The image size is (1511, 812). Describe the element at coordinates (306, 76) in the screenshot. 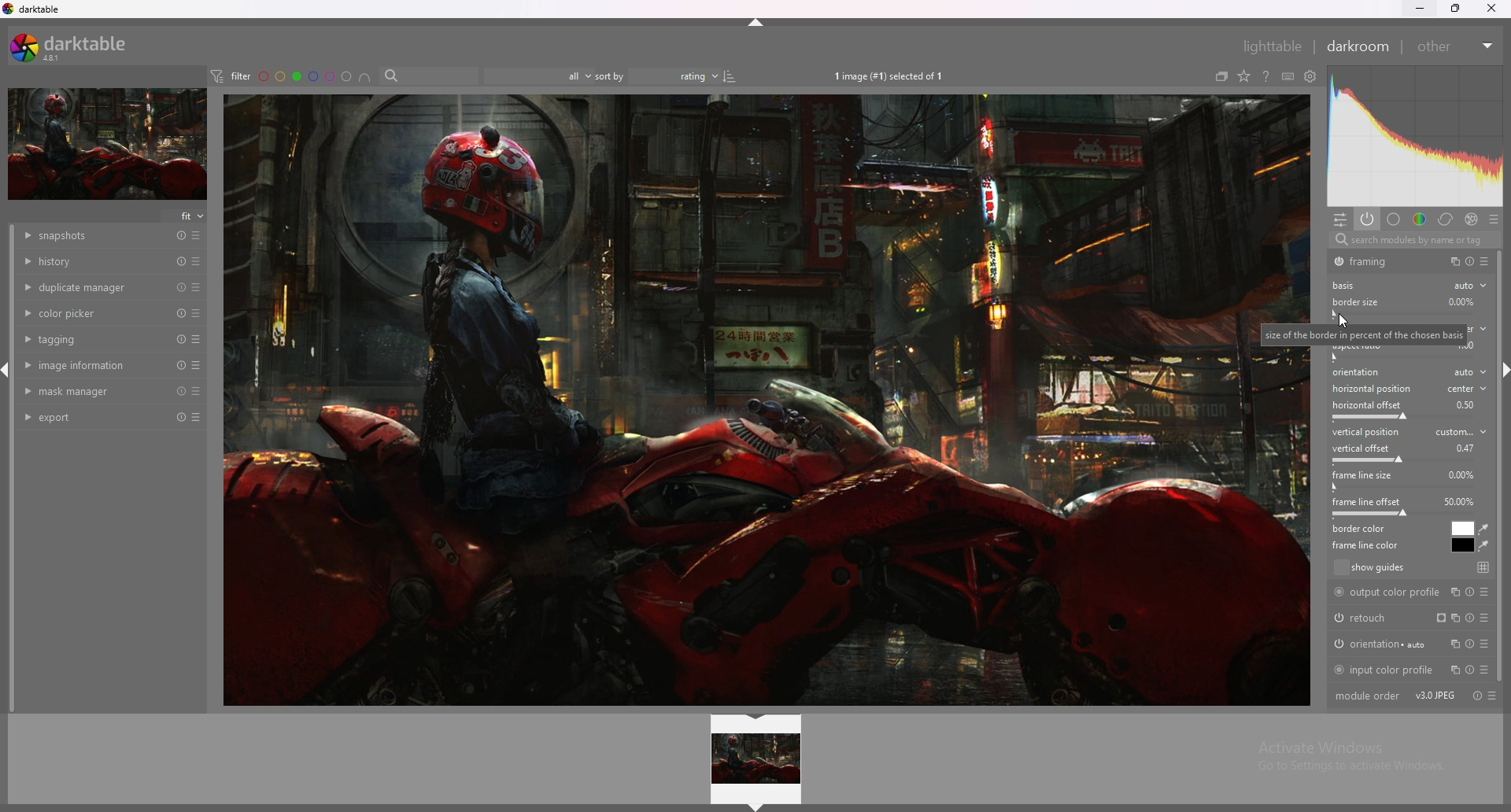

I see `color labels` at that location.